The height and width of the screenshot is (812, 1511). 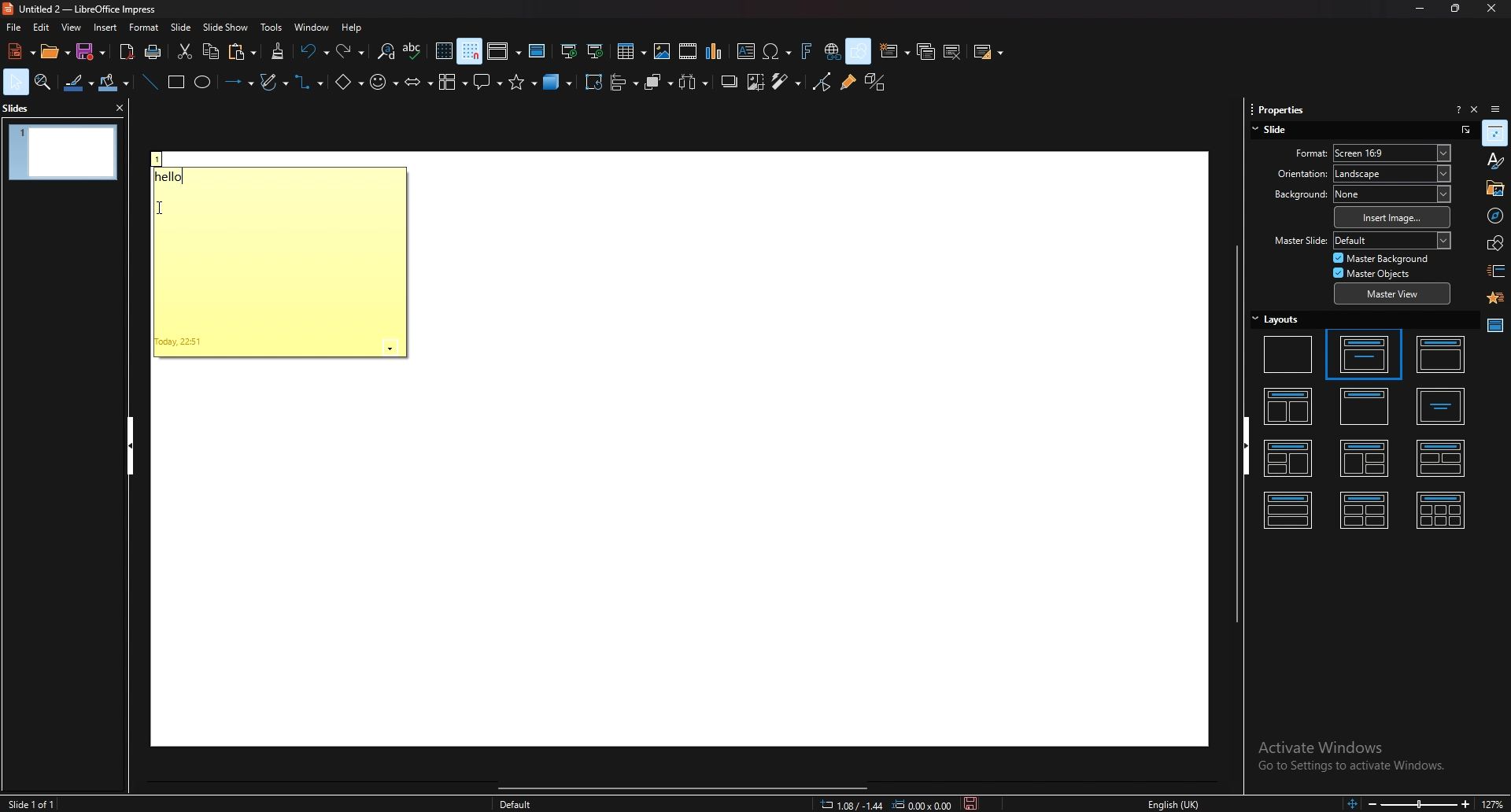 I want to click on master slides, so click(x=1494, y=326).